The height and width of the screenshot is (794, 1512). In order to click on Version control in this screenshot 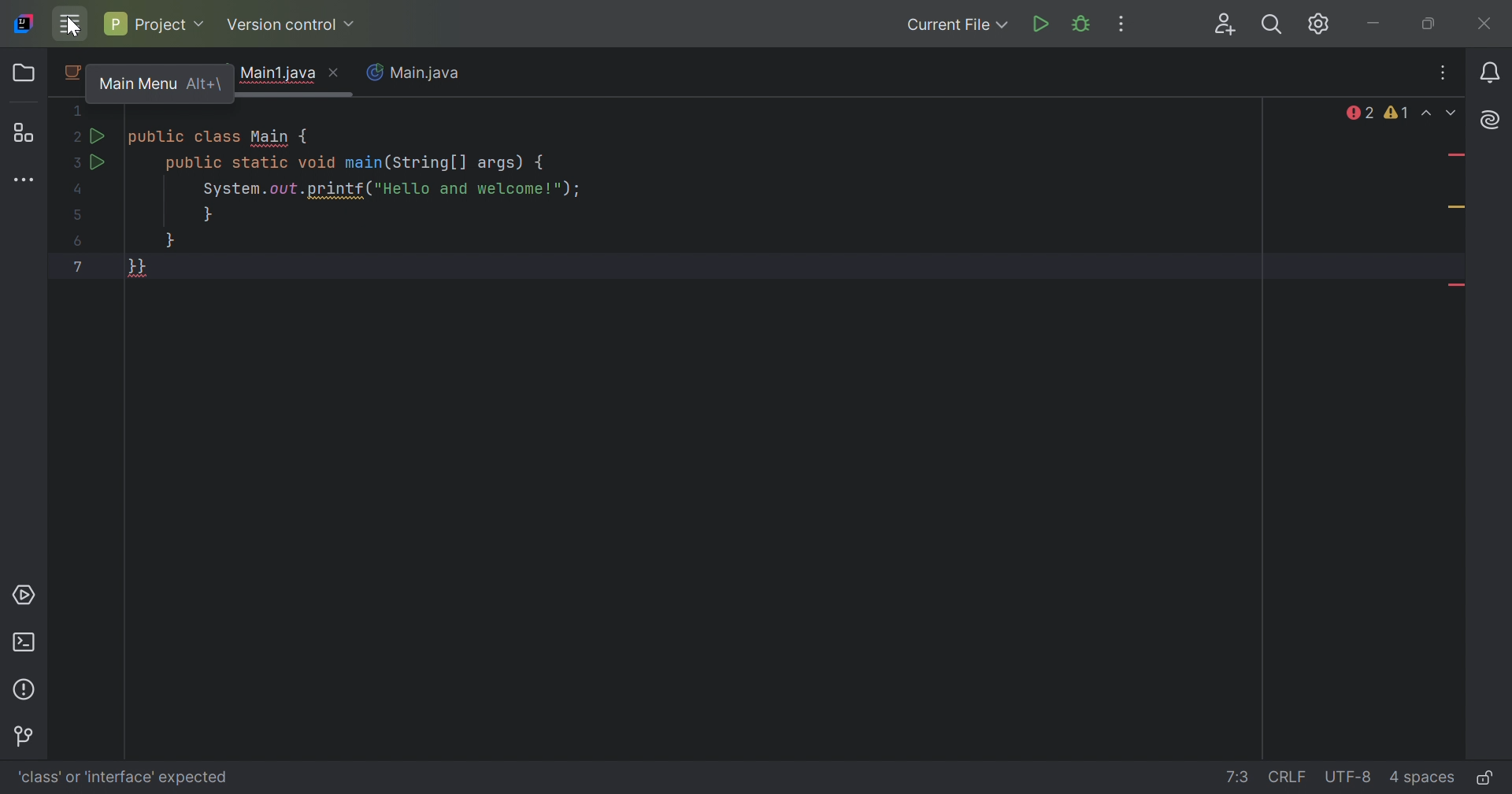, I will do `click(293, 24)`.